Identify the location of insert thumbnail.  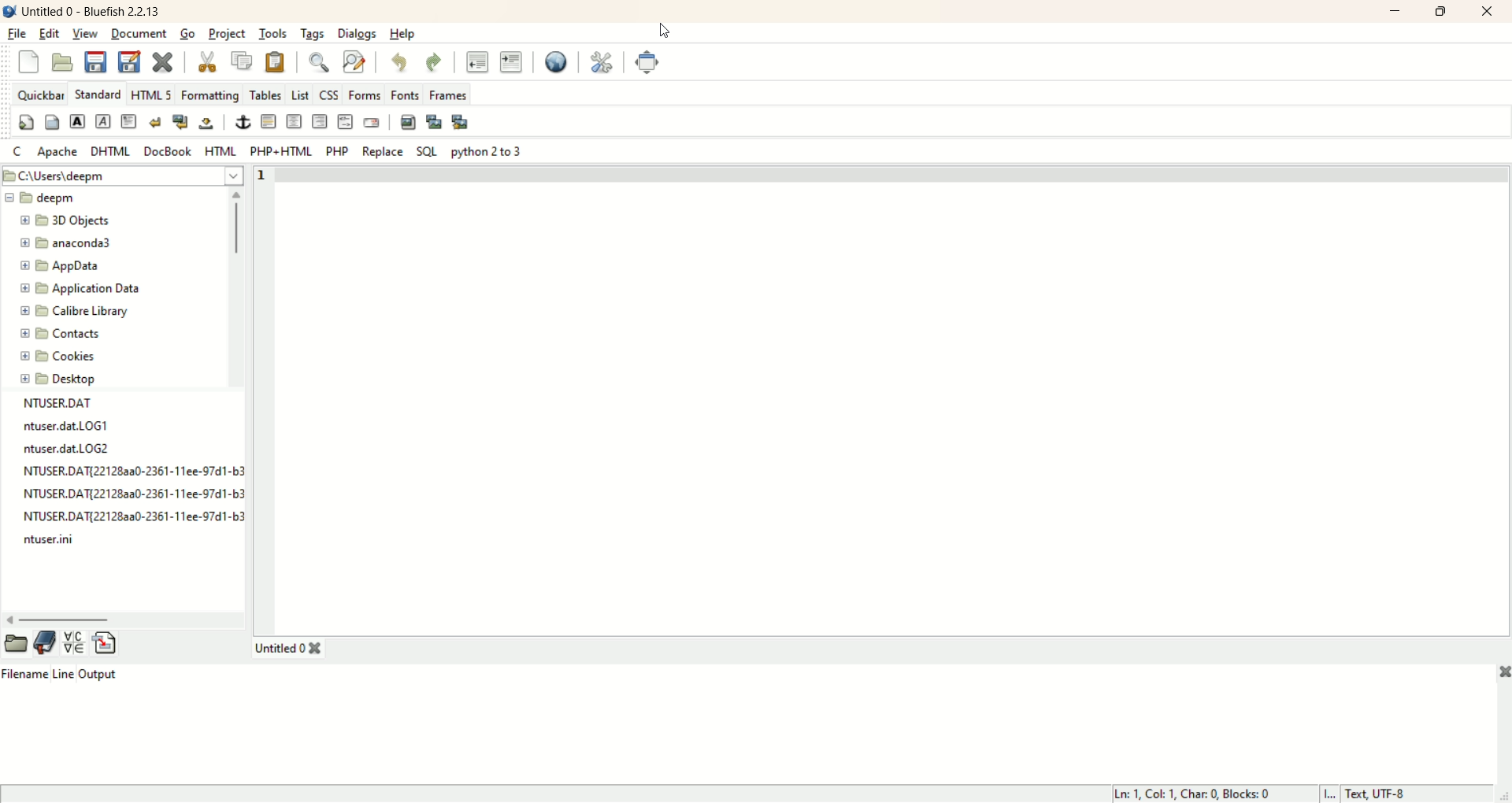
(436, 123).